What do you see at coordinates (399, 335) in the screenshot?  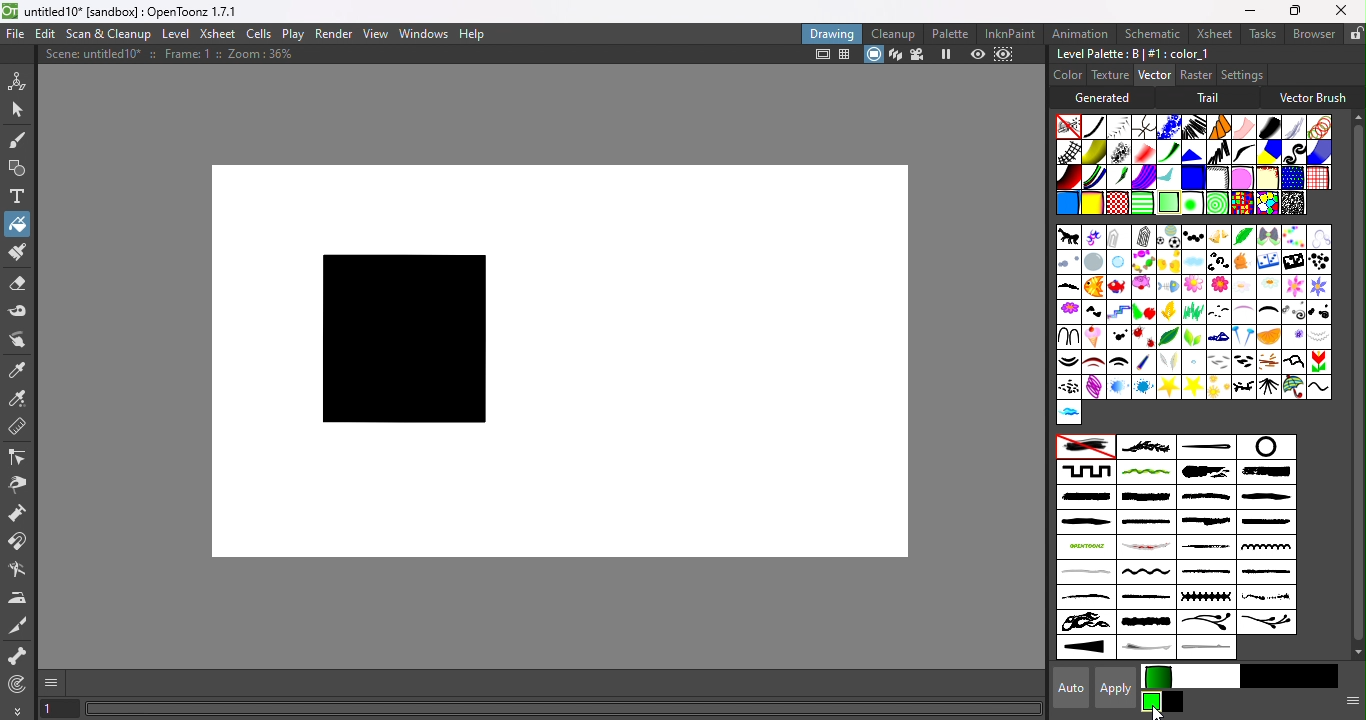 I see `black rectangle` at bounding box center [399, 335].